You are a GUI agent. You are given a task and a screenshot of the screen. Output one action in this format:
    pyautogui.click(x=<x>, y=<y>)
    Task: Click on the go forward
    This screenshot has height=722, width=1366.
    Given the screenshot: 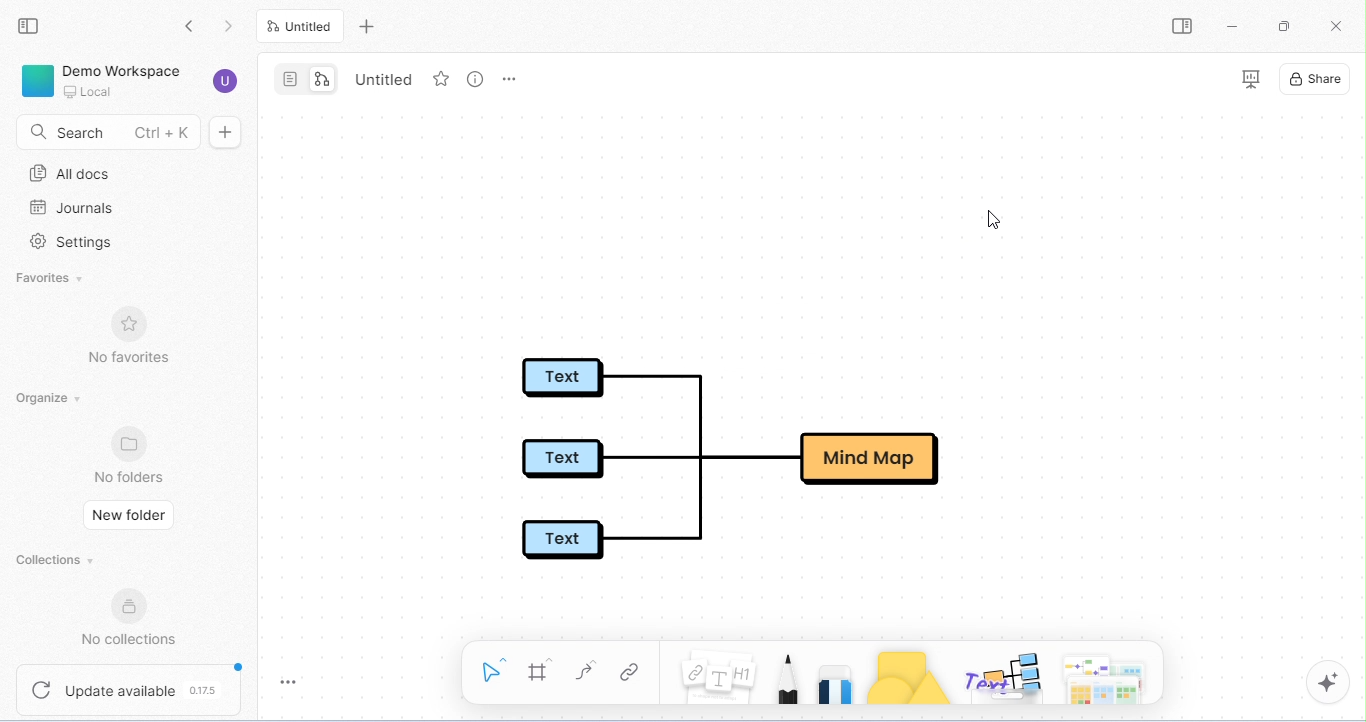 What is the action you would take?
    pyautogui.click(x=231, y=27)
    